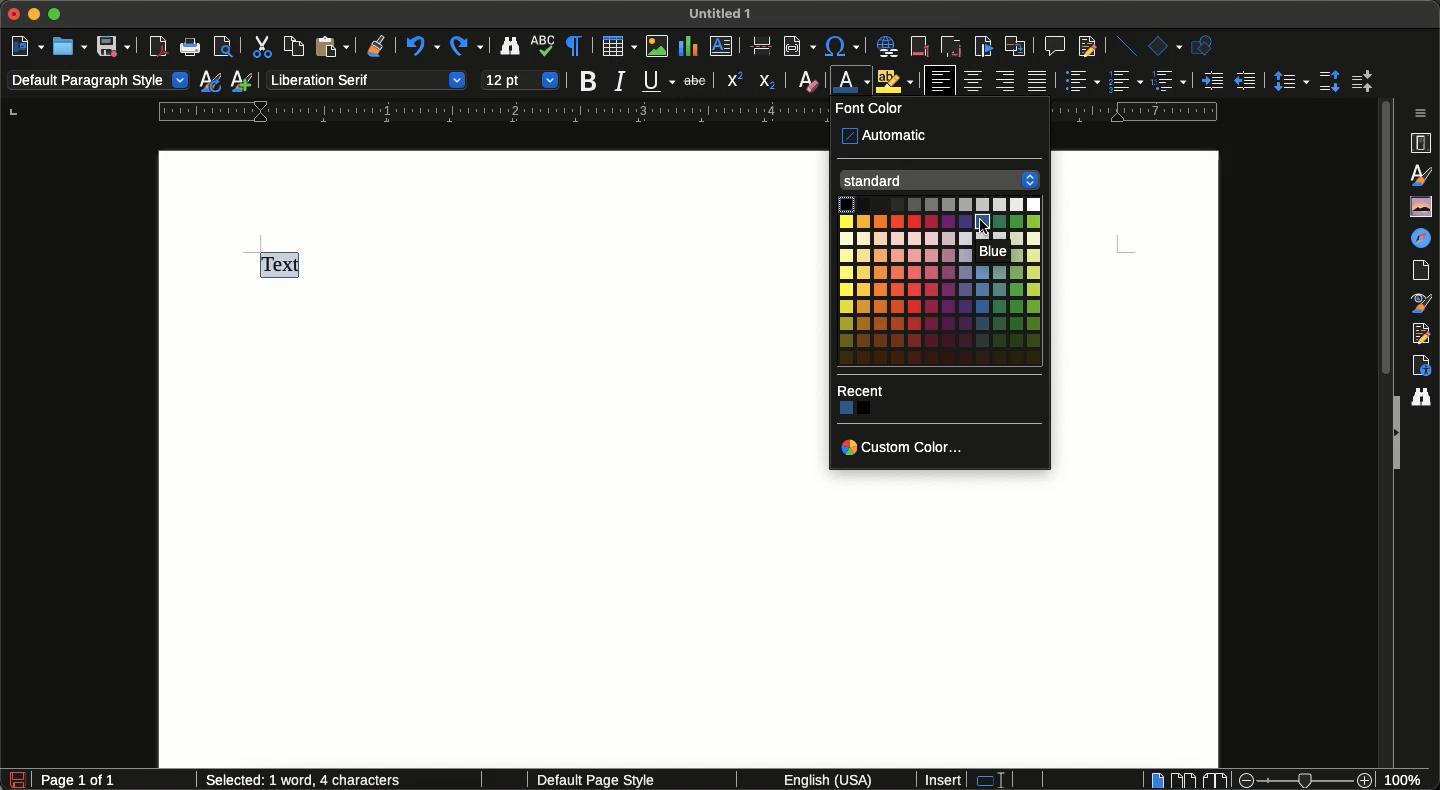  What do you see at coordinates (69, 46) in the screenshot?
I see `Open` at bounding box center [69, 46].